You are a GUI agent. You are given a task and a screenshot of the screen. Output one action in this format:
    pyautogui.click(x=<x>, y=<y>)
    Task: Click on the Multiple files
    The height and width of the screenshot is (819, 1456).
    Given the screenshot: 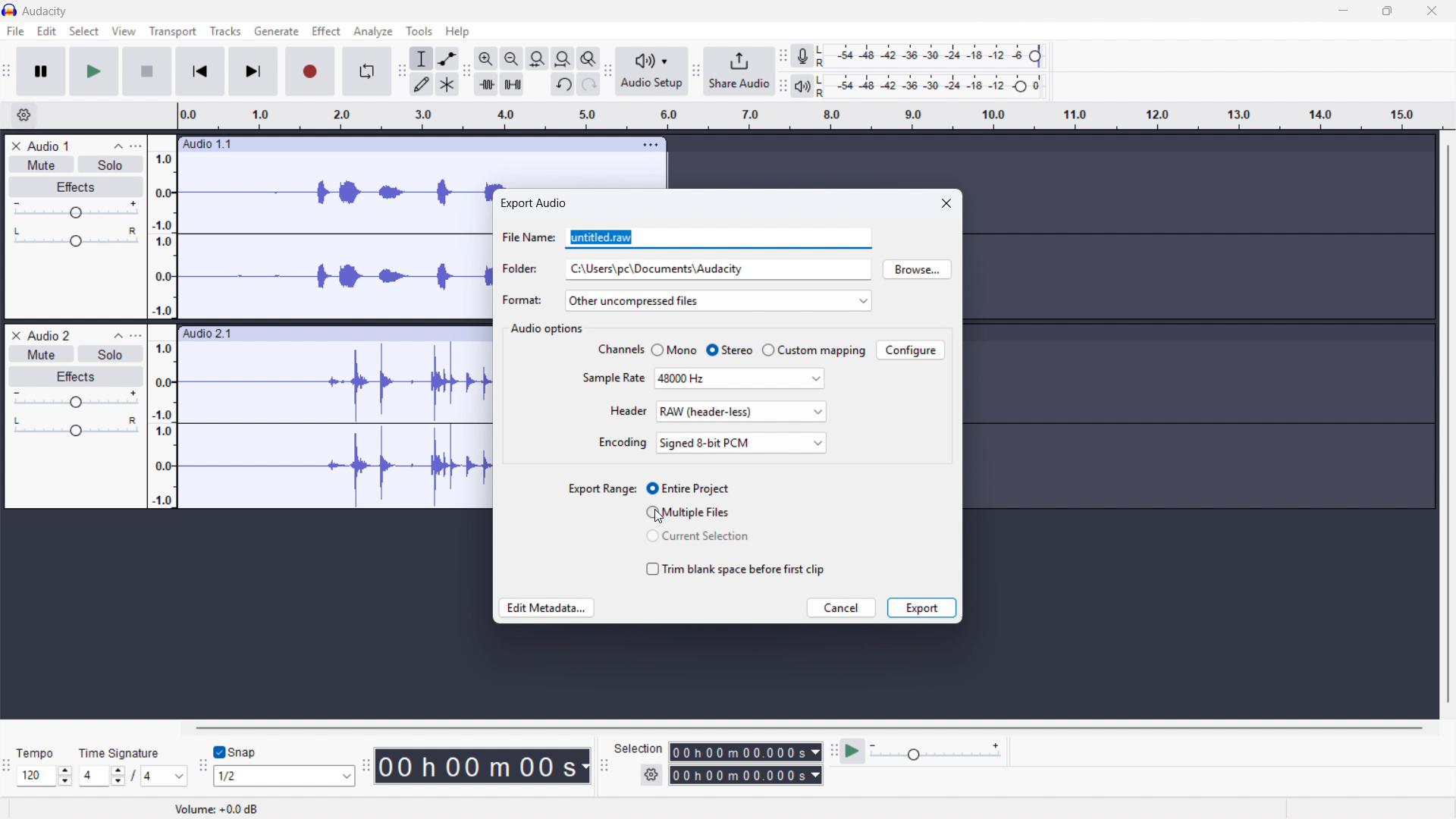 What is the action you would take?
    pyautogui.click(x=687, y=512)
    